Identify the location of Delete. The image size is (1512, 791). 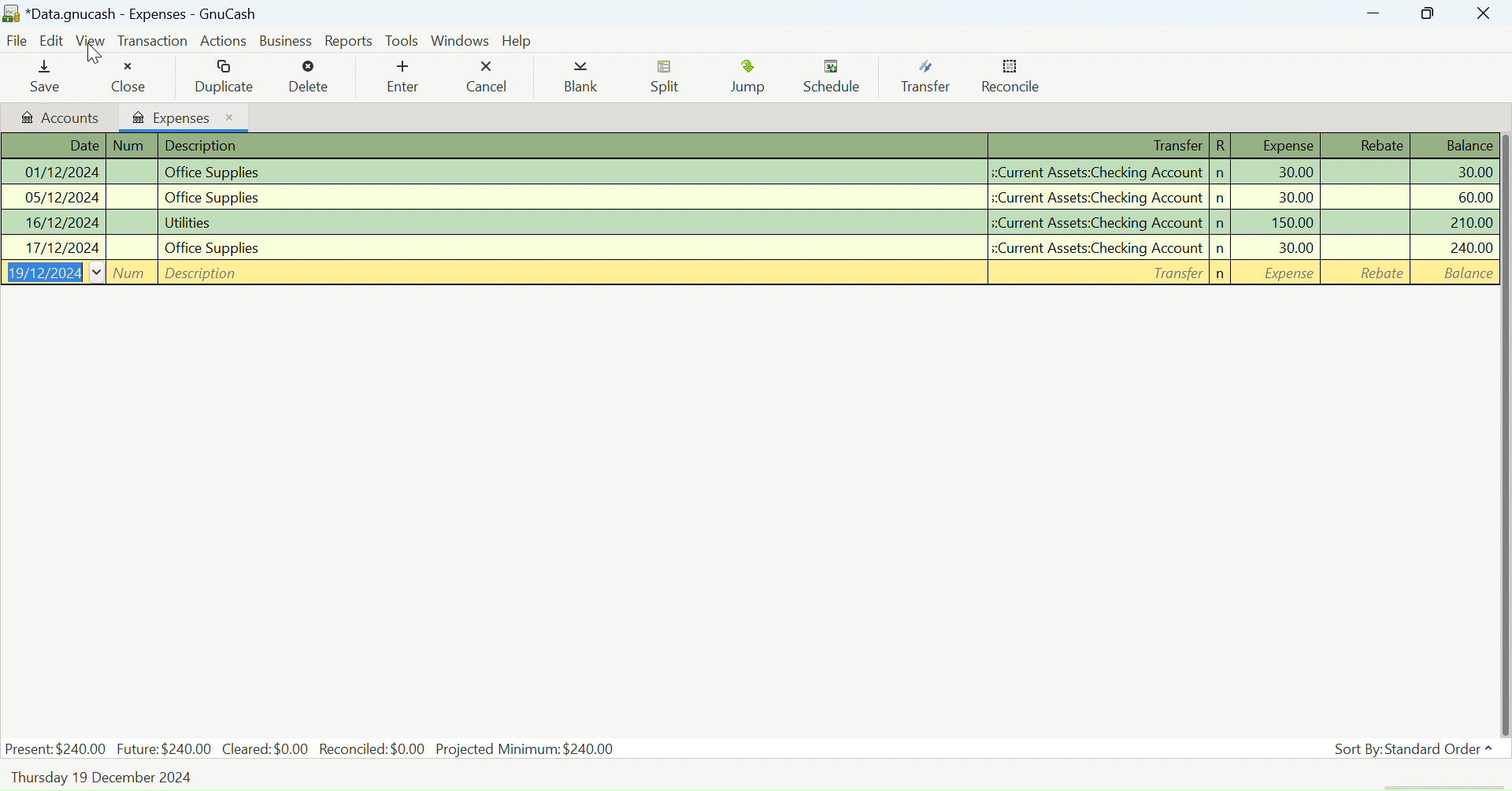
(309, 77).